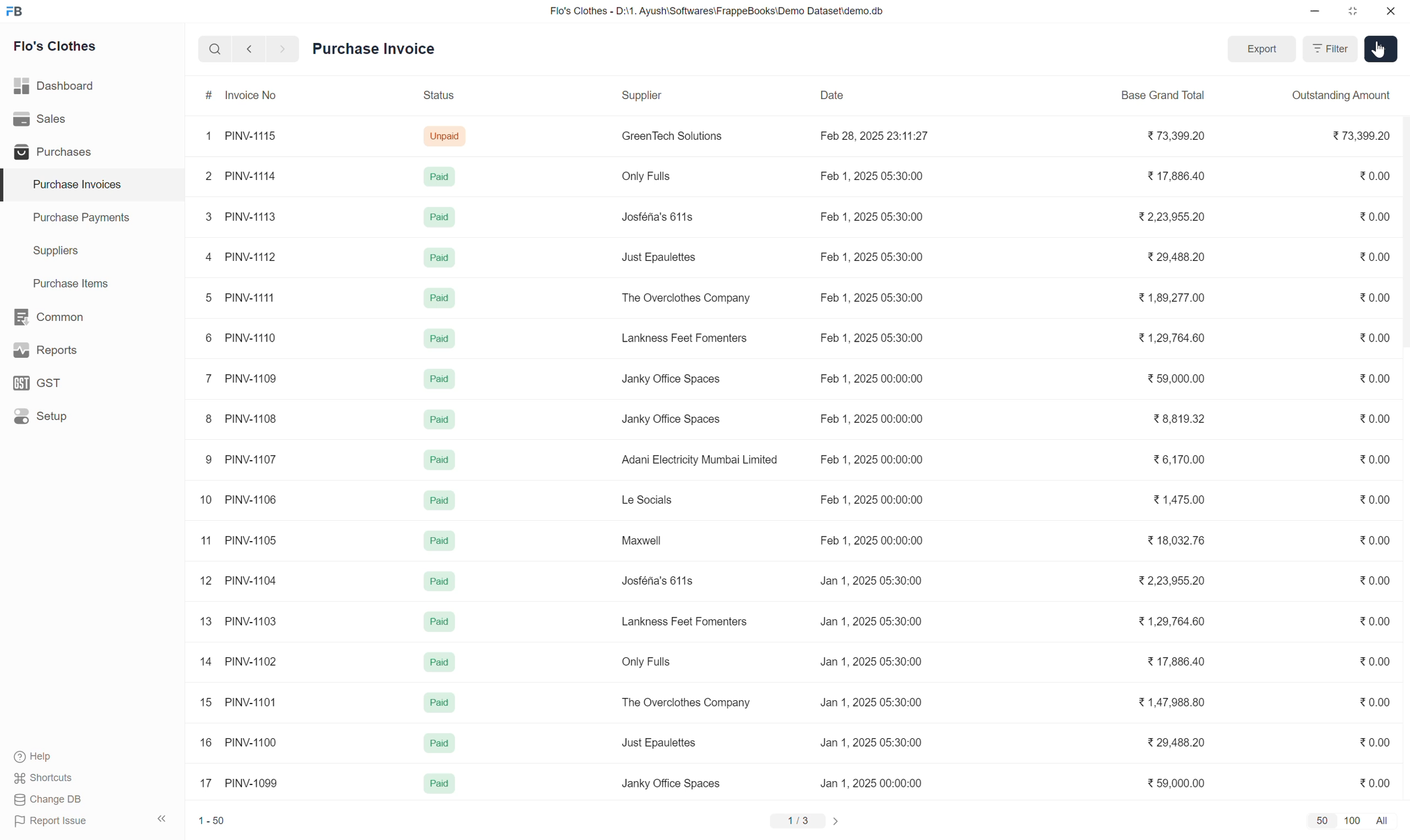 This screenshot has width=1410, height=840. I want to click on next, so click(247, 50).